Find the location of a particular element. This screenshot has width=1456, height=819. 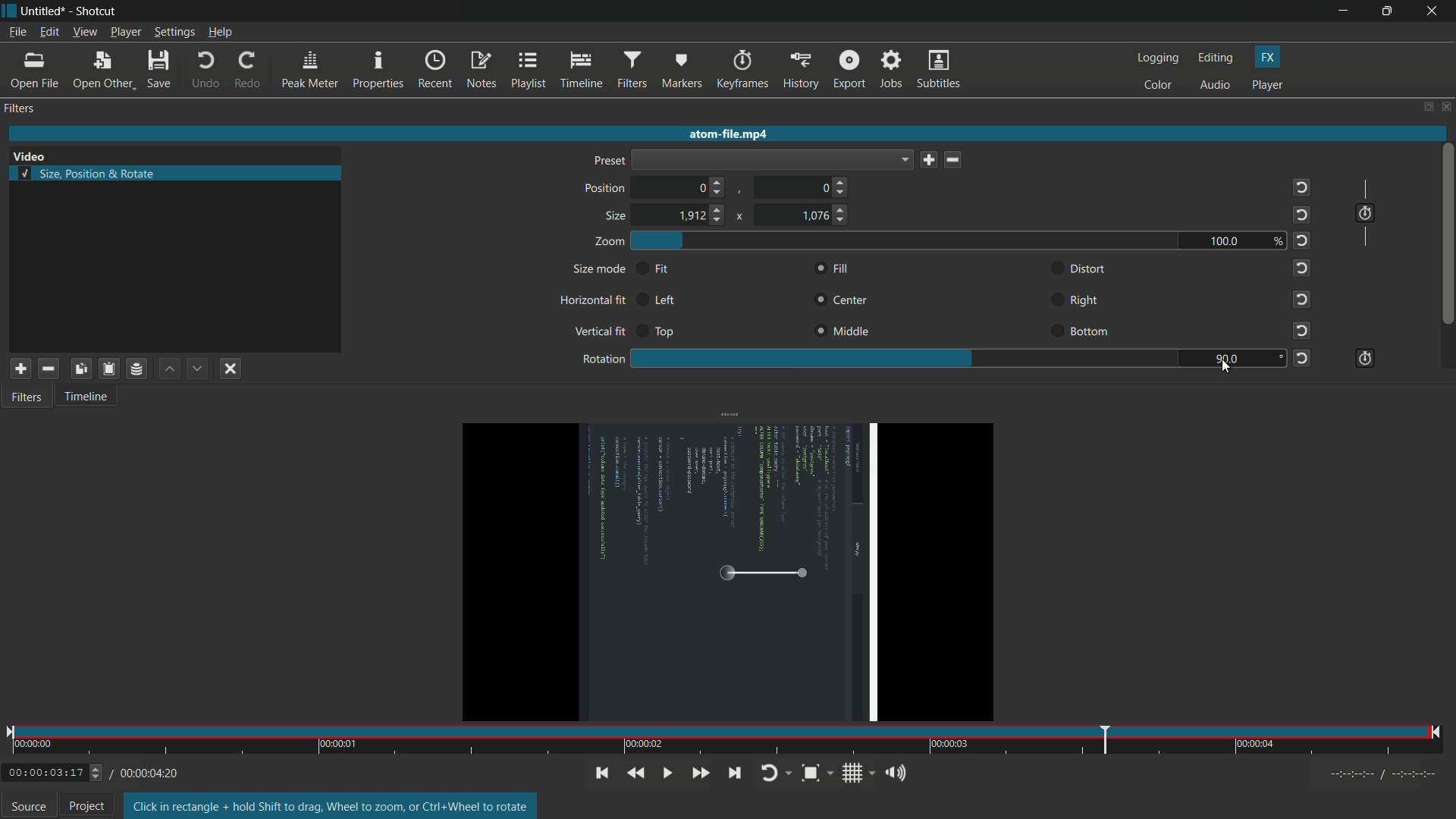

text is located at coordinates (333, 806).